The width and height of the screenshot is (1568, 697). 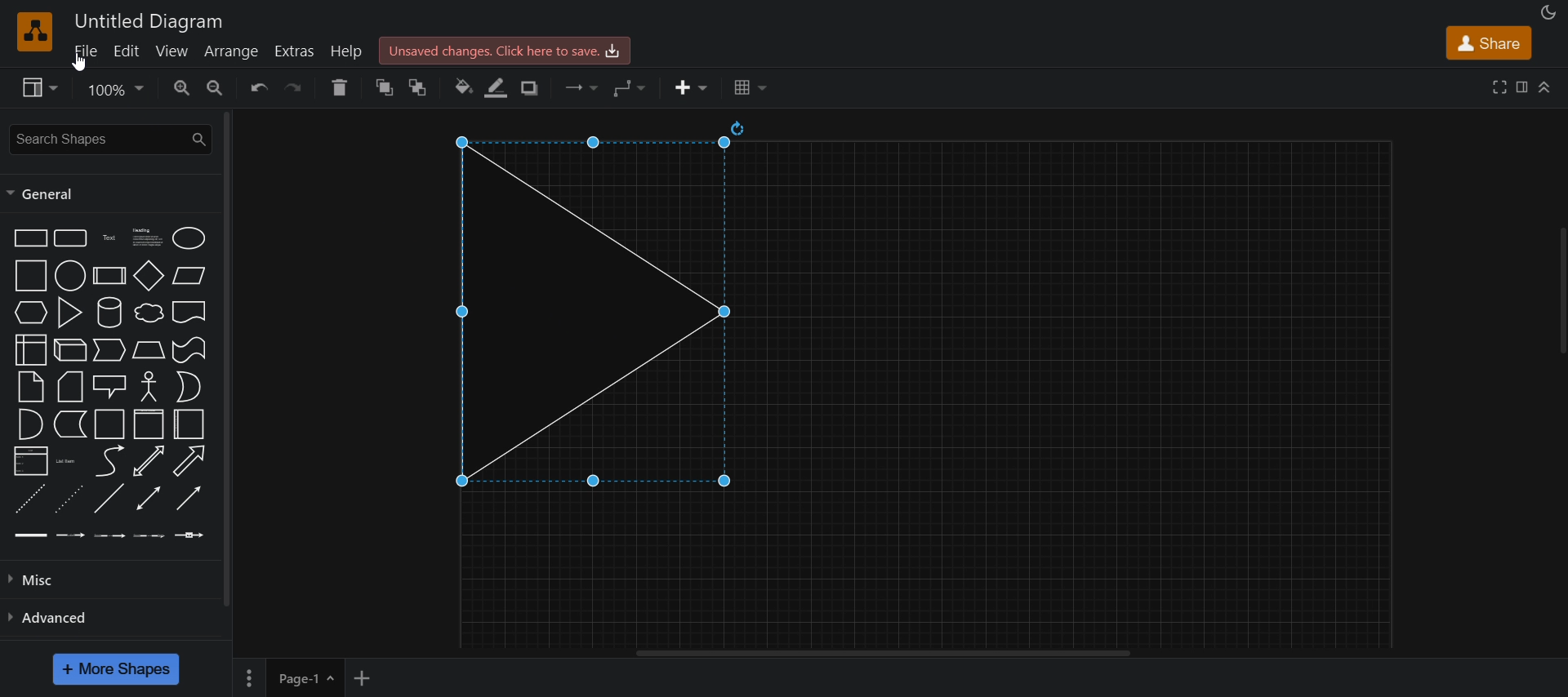 What do you see at coordinates (108, 582) in the screenshot?
I see `misc` at bounding box center [108, 582].